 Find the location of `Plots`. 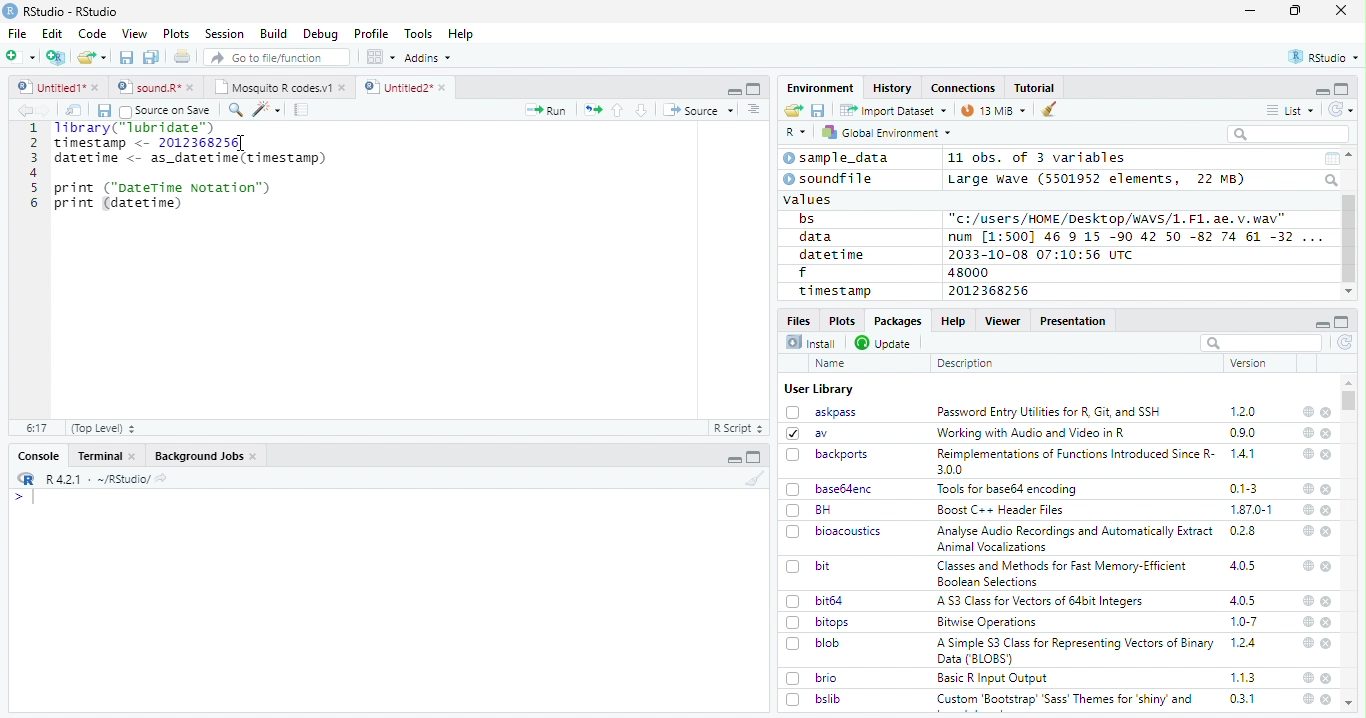

Plots is located at coordinates (841, 320).